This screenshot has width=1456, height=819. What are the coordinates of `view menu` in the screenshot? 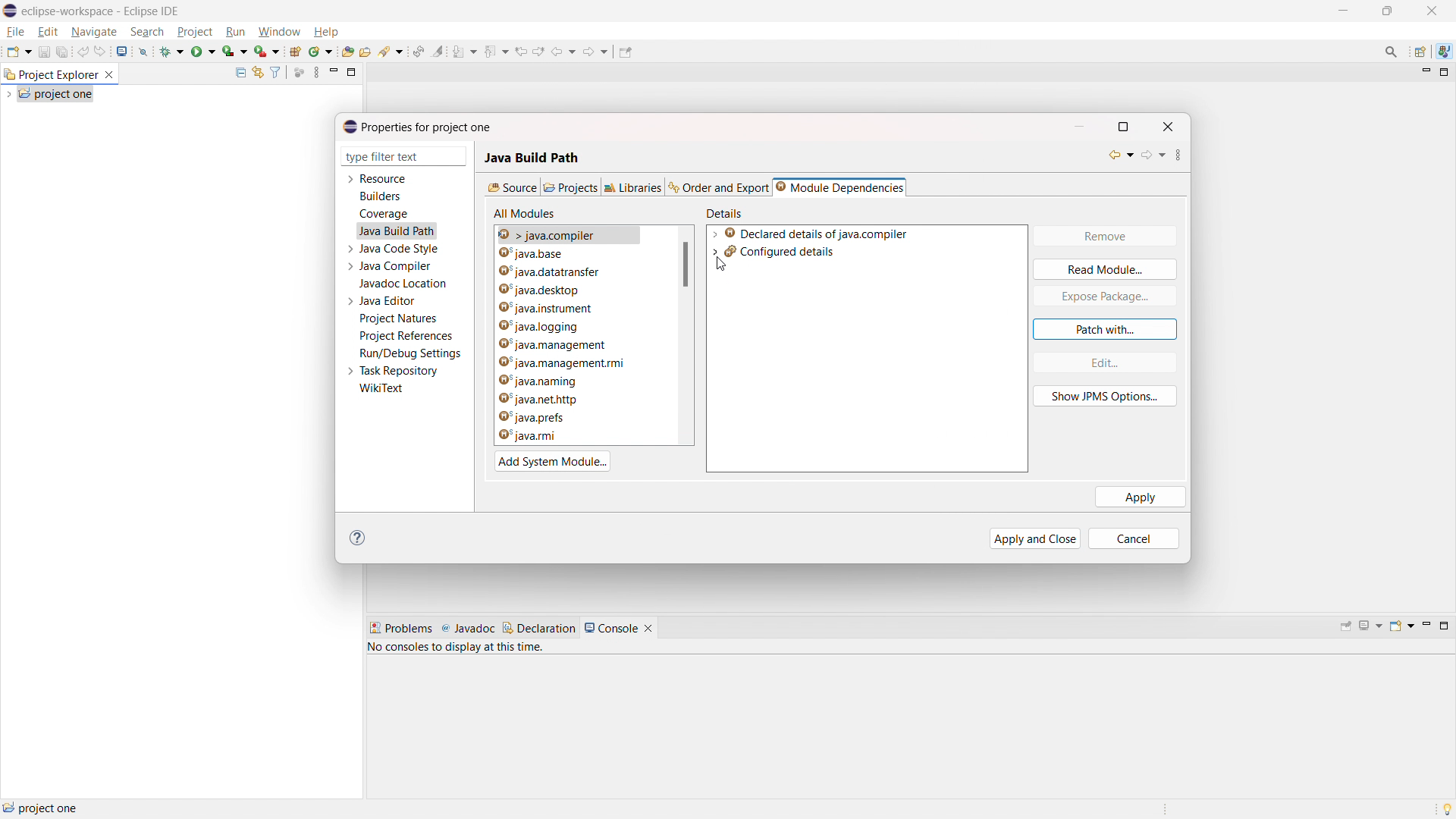 It's located at (316, 72).